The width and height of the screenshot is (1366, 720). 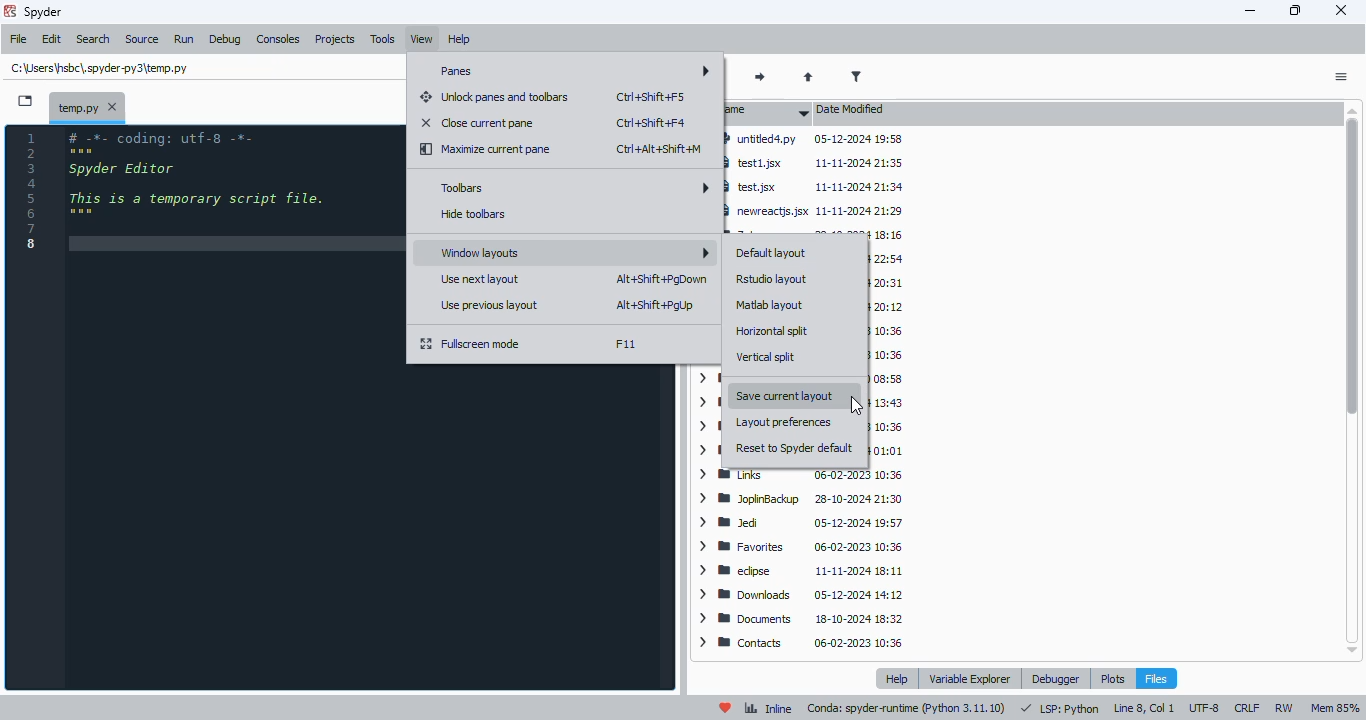 What do you see at coordinates (1341, 78) in the screenshot?
I see `options` at bounding box center [1341, 78].